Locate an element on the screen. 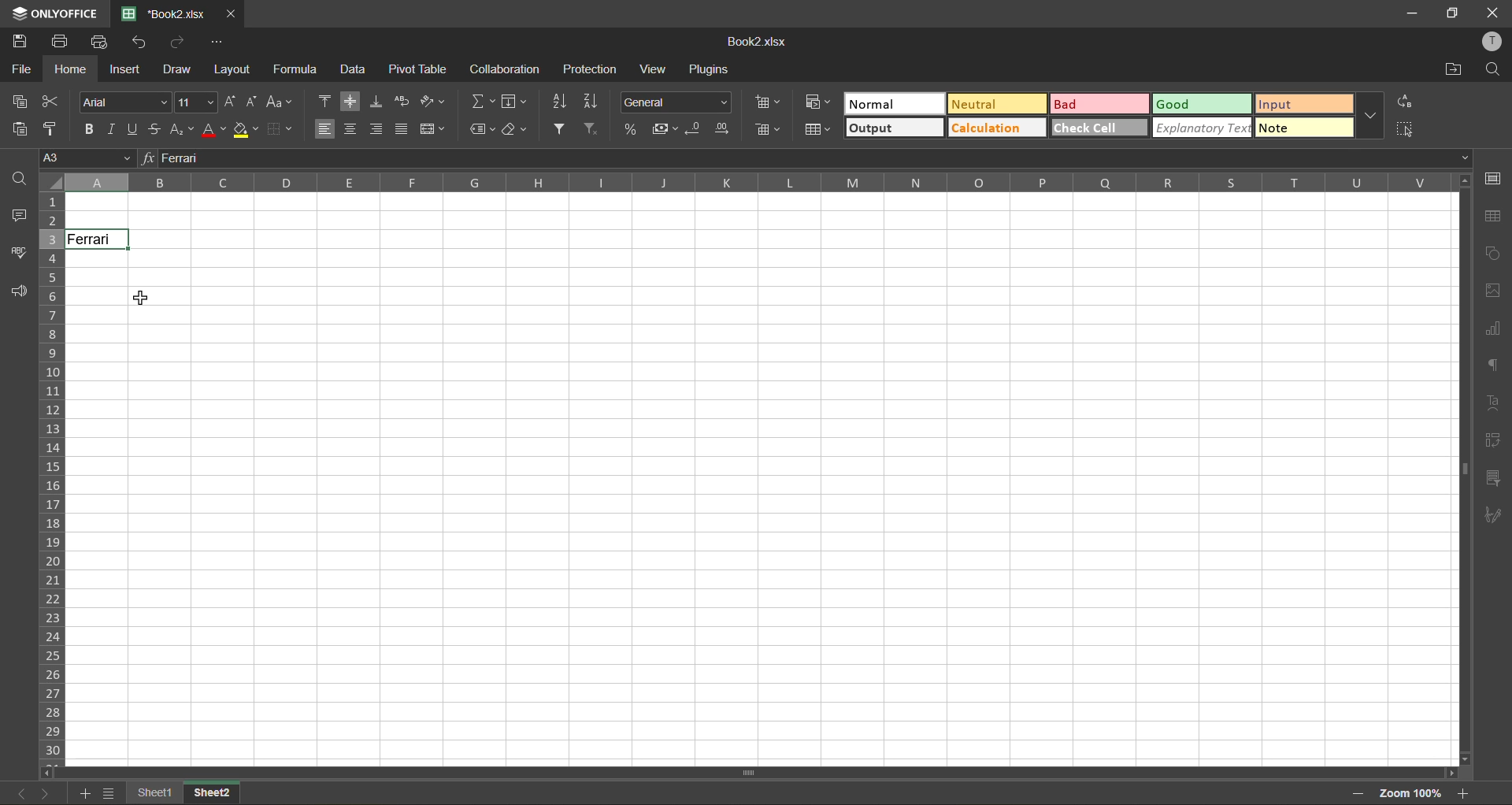 Image resolution: width=1512 pixels, height=805 pixels. feedback is located at coordinates (18, 292).